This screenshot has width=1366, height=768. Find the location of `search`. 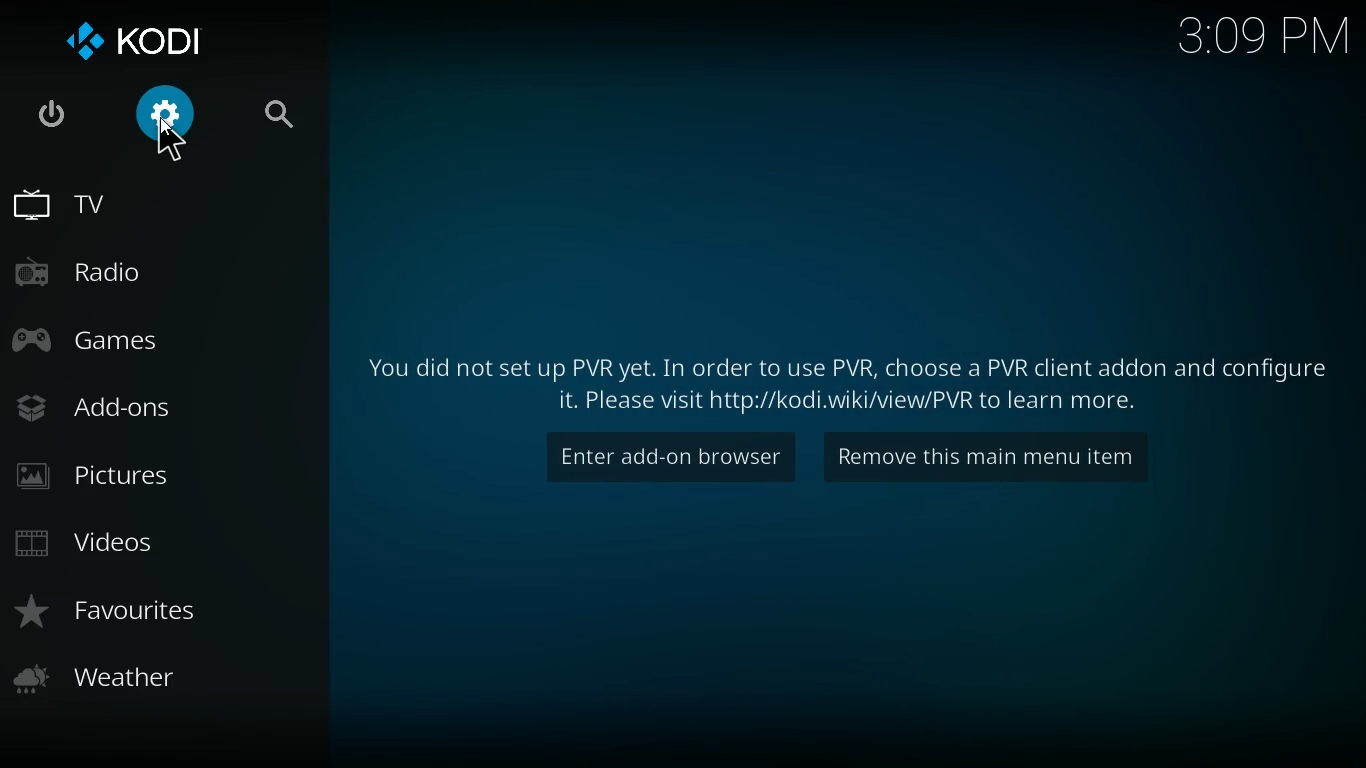

search is located at coordinates (275, 110).